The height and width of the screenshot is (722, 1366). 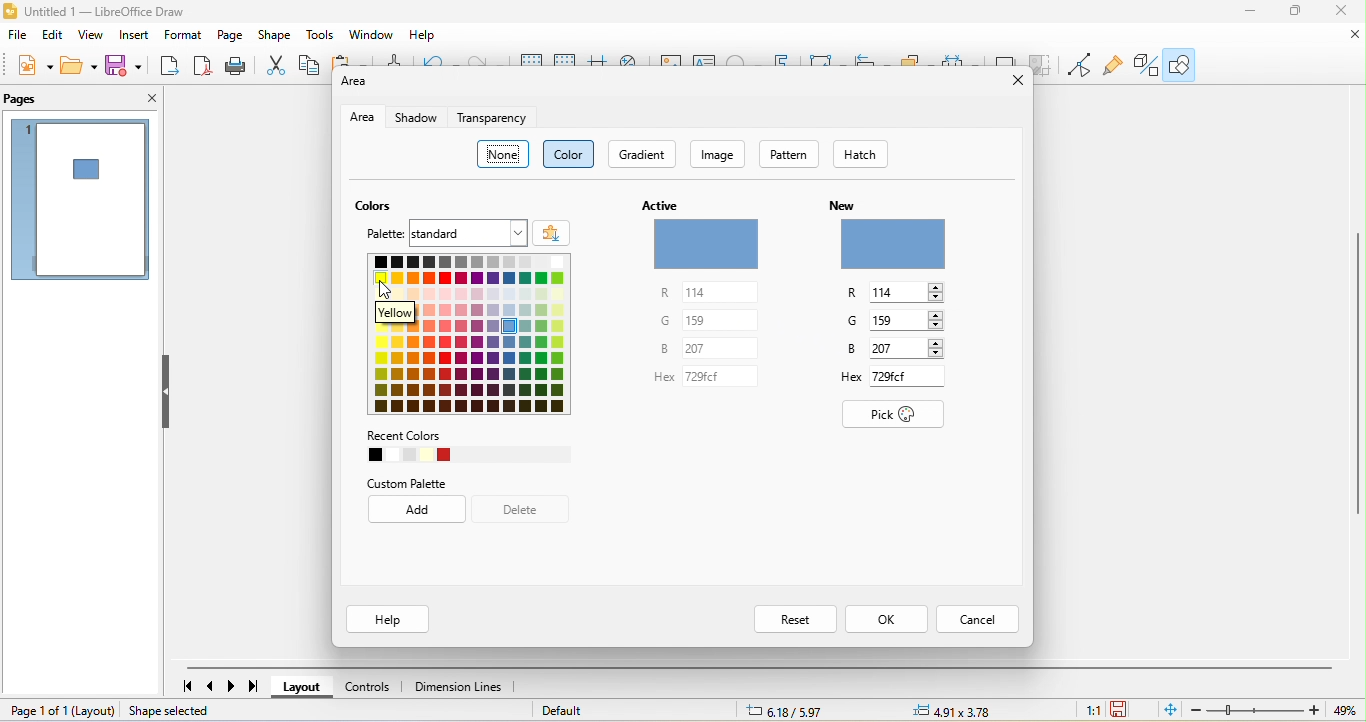 I want to click on show gluepoint function, so click(x=1114, y=65).